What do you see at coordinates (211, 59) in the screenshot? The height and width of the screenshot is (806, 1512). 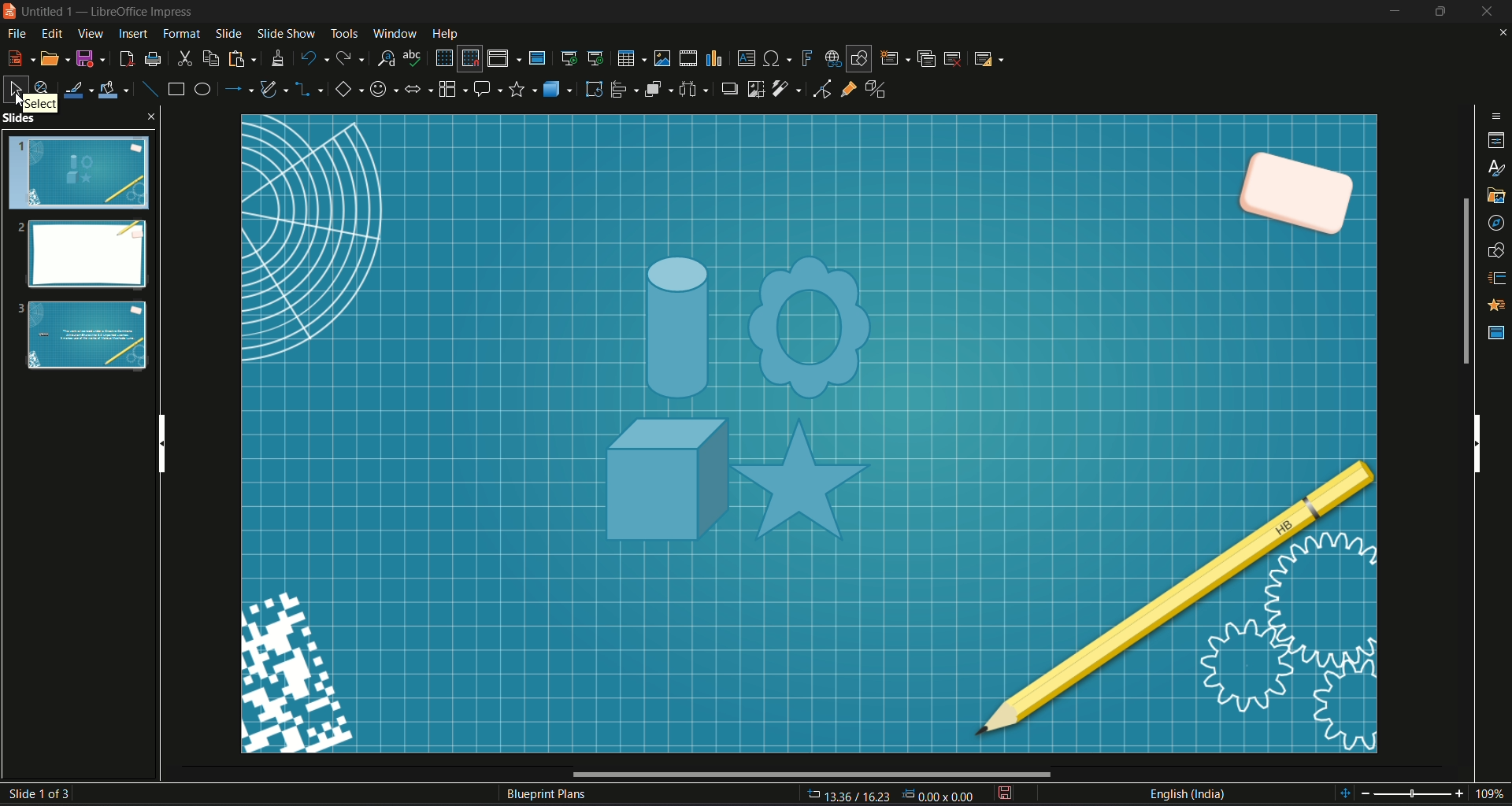 I see `copy ` at bounding box center [211, 59].